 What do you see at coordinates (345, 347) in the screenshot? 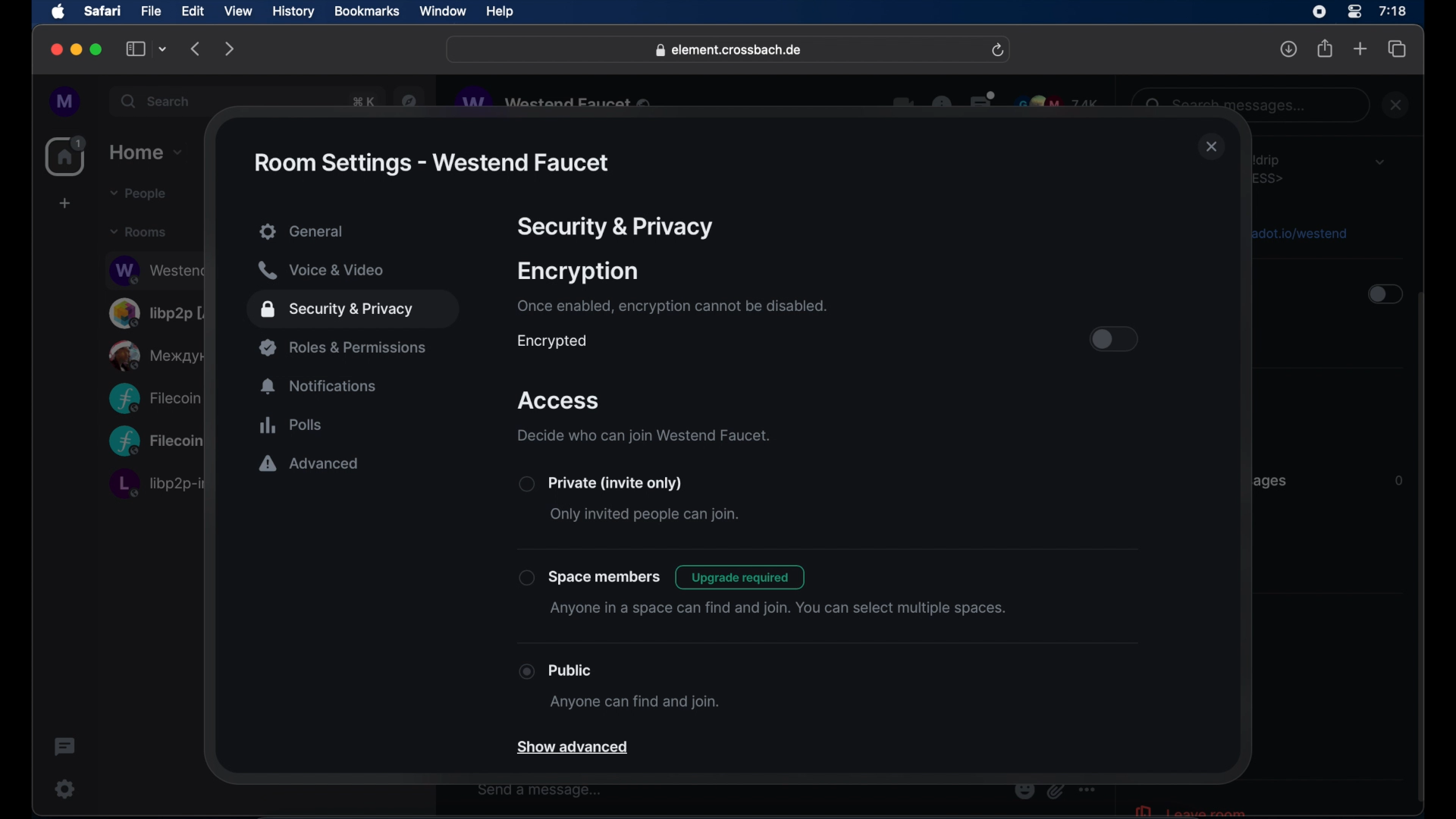
I see `roles and permissions` at bounding box center [345, 347].